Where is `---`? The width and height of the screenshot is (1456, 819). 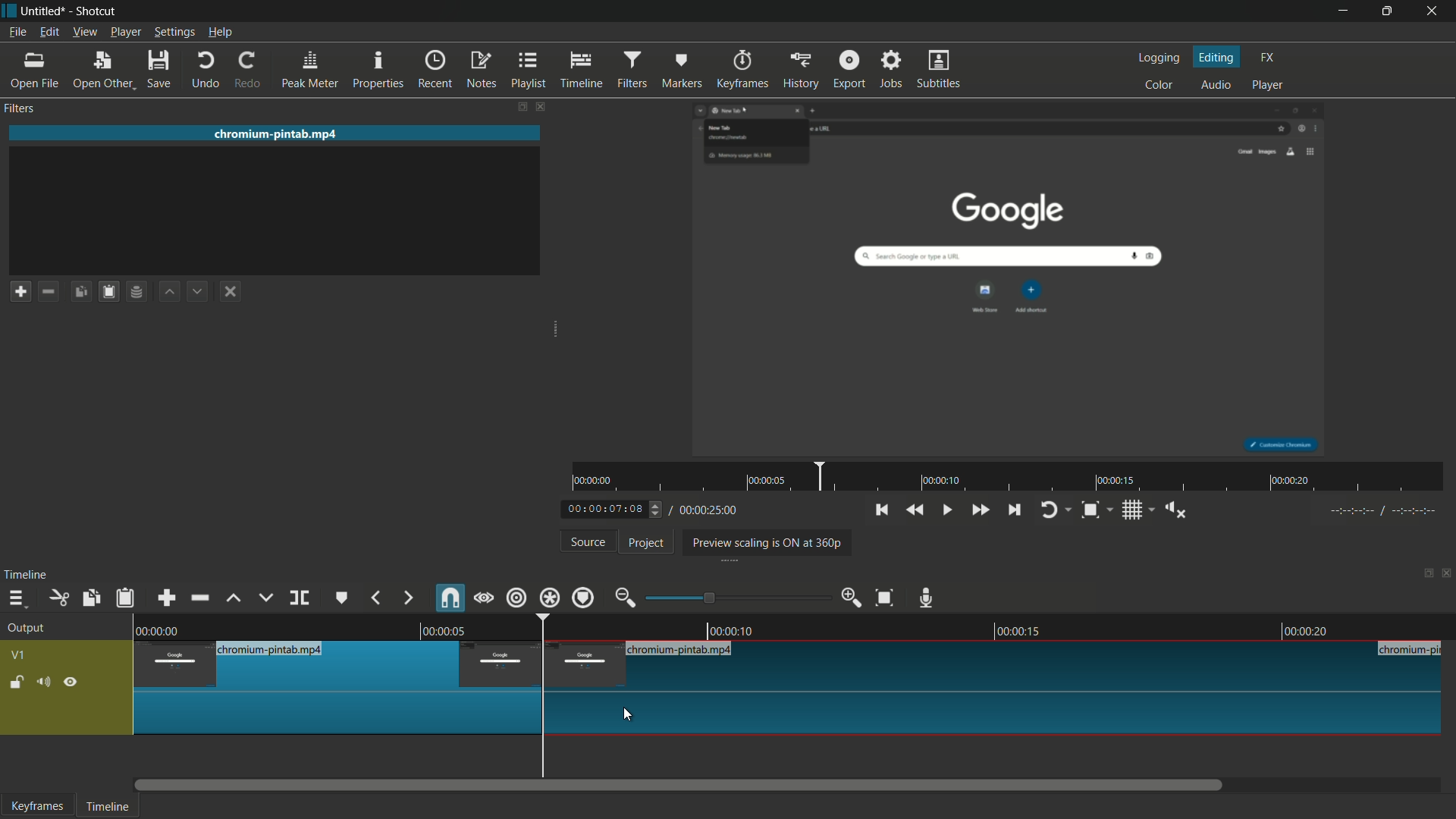
--- is located at coordinates (1382, 510).